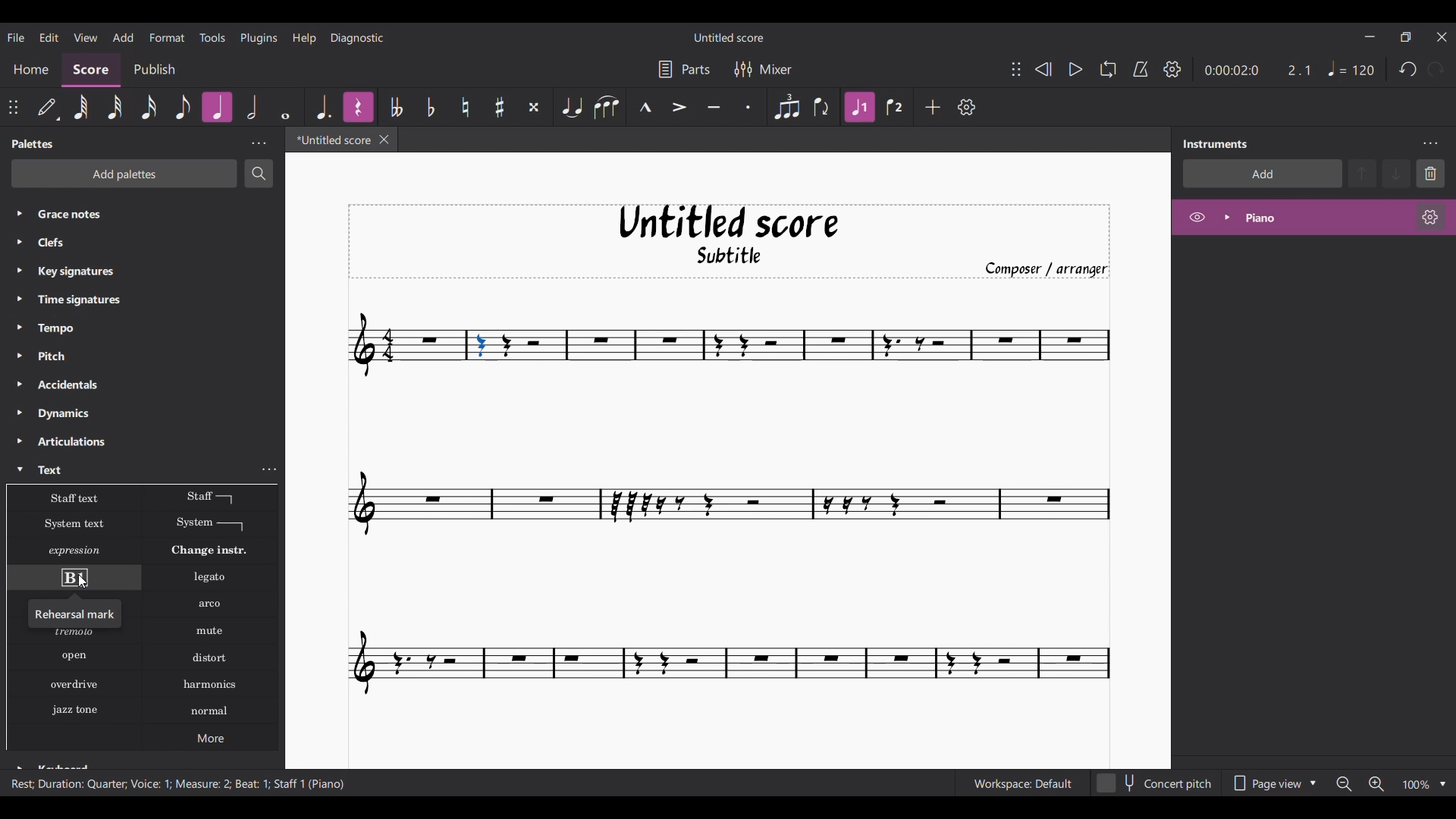 This screenshot has width=1456, height=819. Describe the element at coordinates (787, 107) in the screenshot. I see `Tuplet` at that location.